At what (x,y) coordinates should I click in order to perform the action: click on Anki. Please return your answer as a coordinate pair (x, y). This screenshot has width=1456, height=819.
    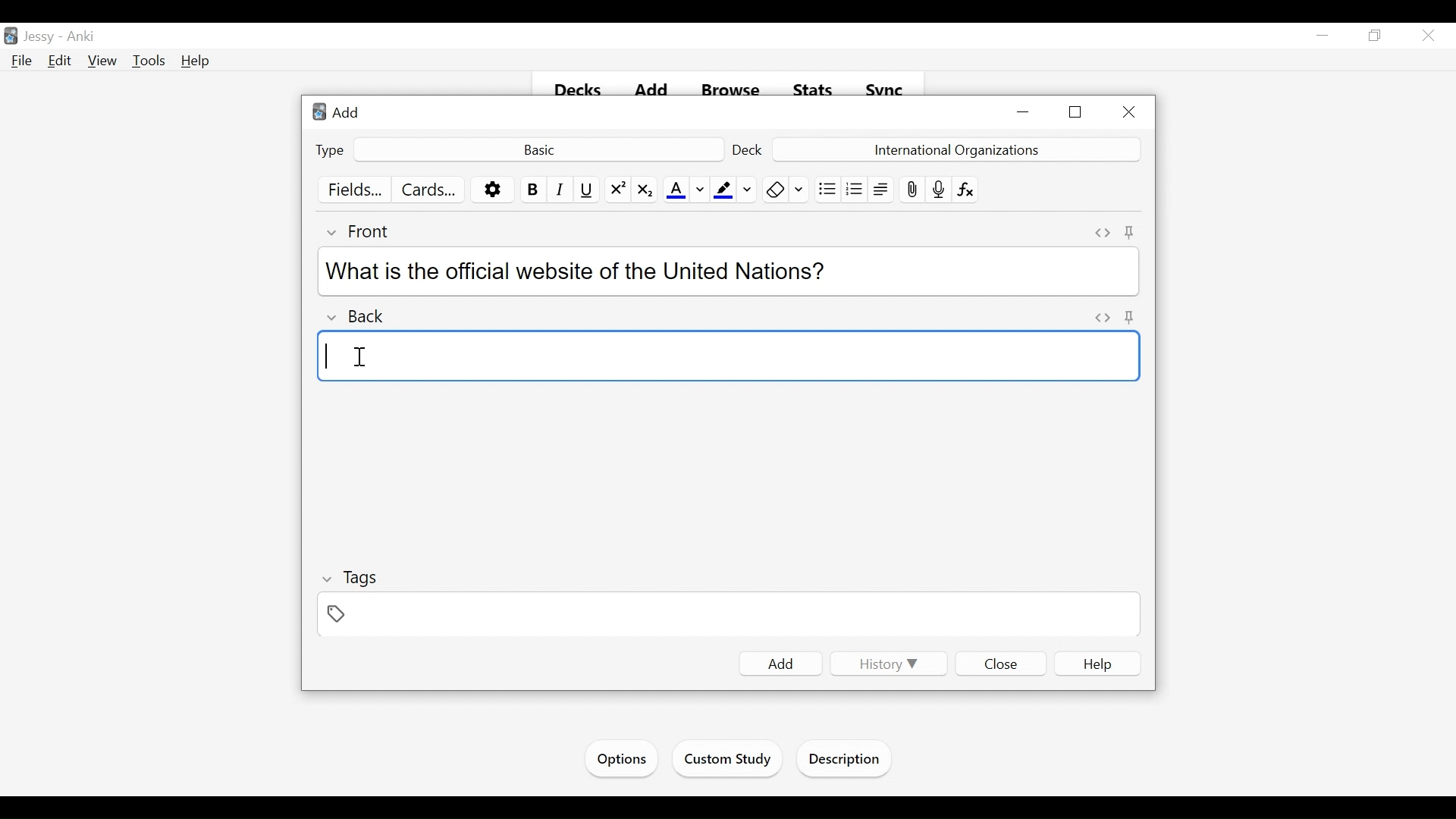
    Looking at the image, I should click on (83, 36).